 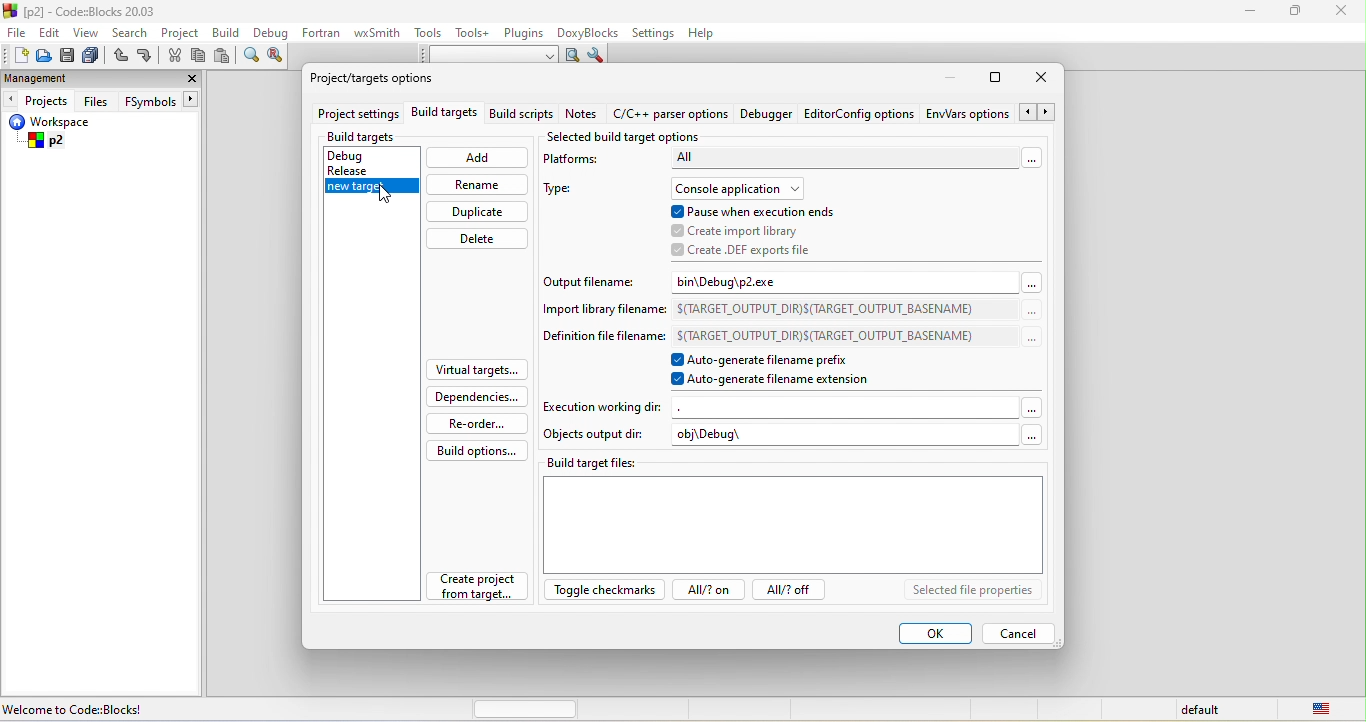 What do you see at coordinates (860, 118) in the screenshot?
I see `editor config option` at bounding box center [860, 118].